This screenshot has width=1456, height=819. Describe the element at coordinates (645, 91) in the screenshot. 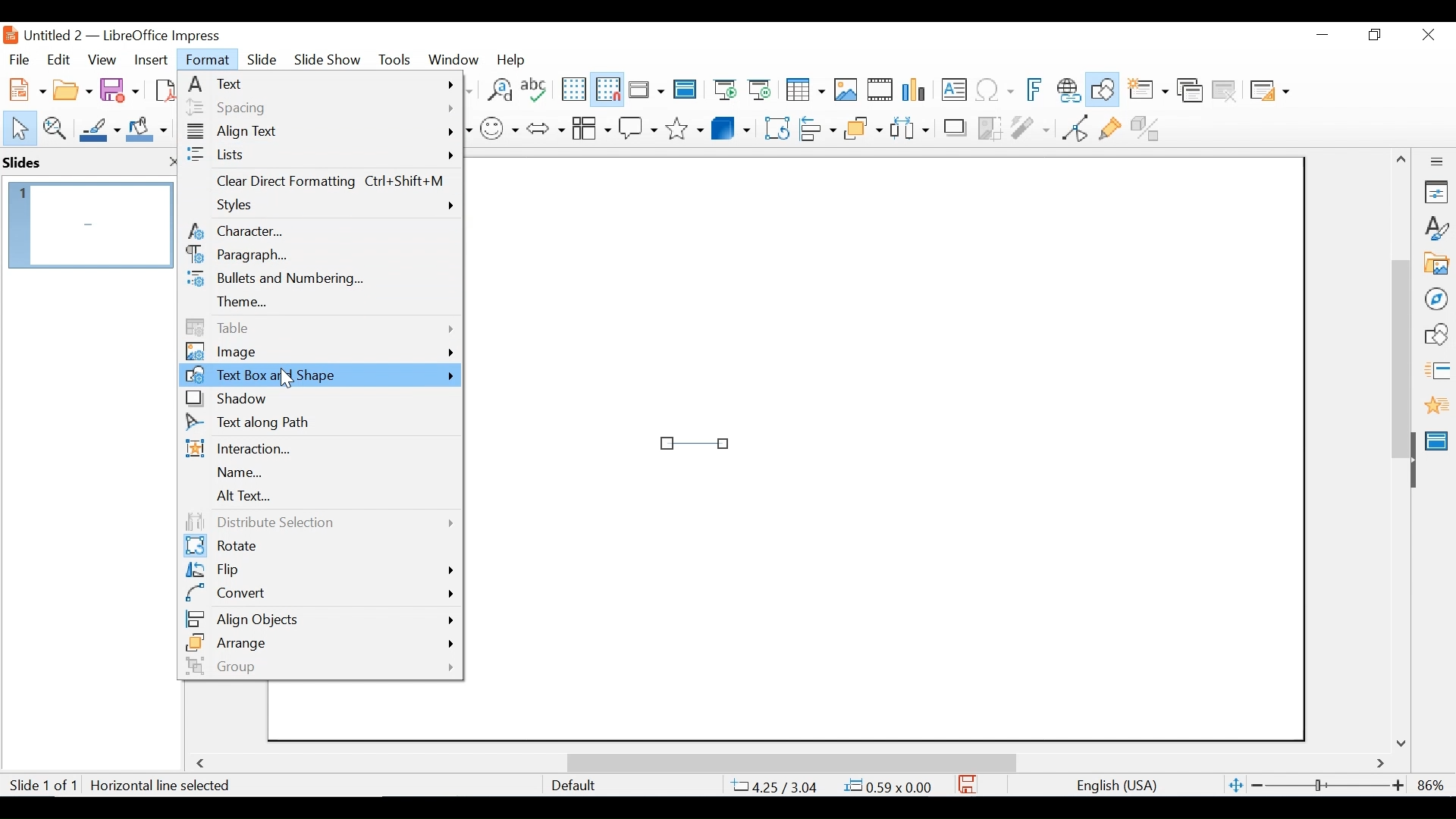

I see `Display Views` at that location.